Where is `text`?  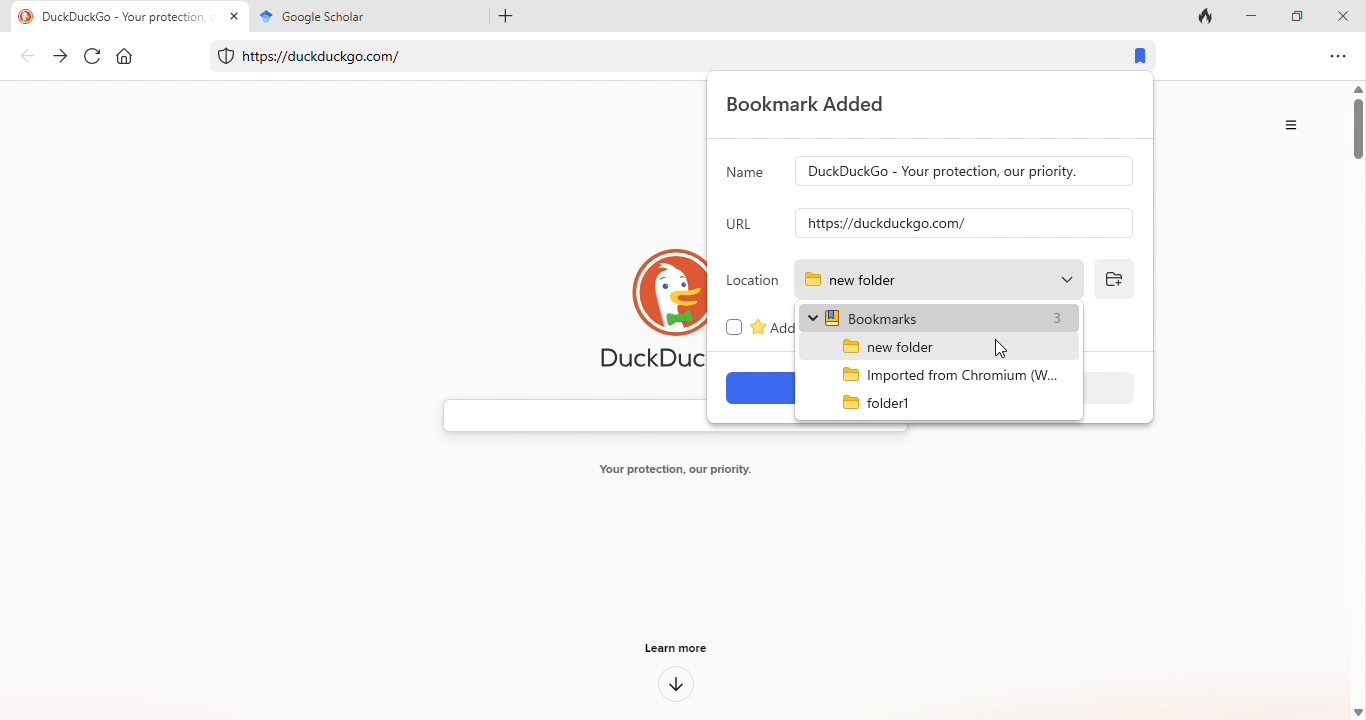
text is located at coordinates (677, 472).